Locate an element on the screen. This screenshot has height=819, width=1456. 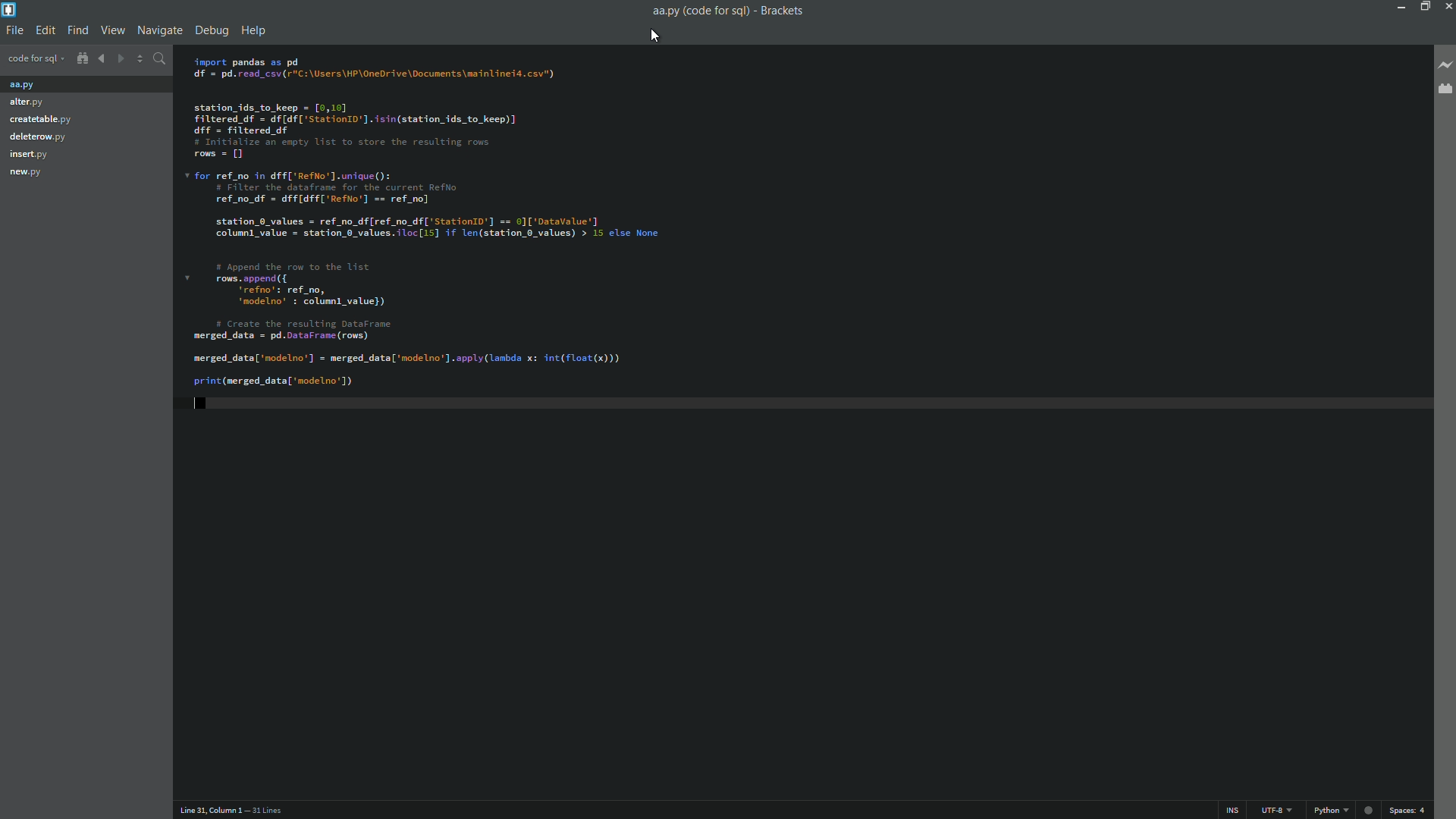
file menu is located at coordinates (14, 29).